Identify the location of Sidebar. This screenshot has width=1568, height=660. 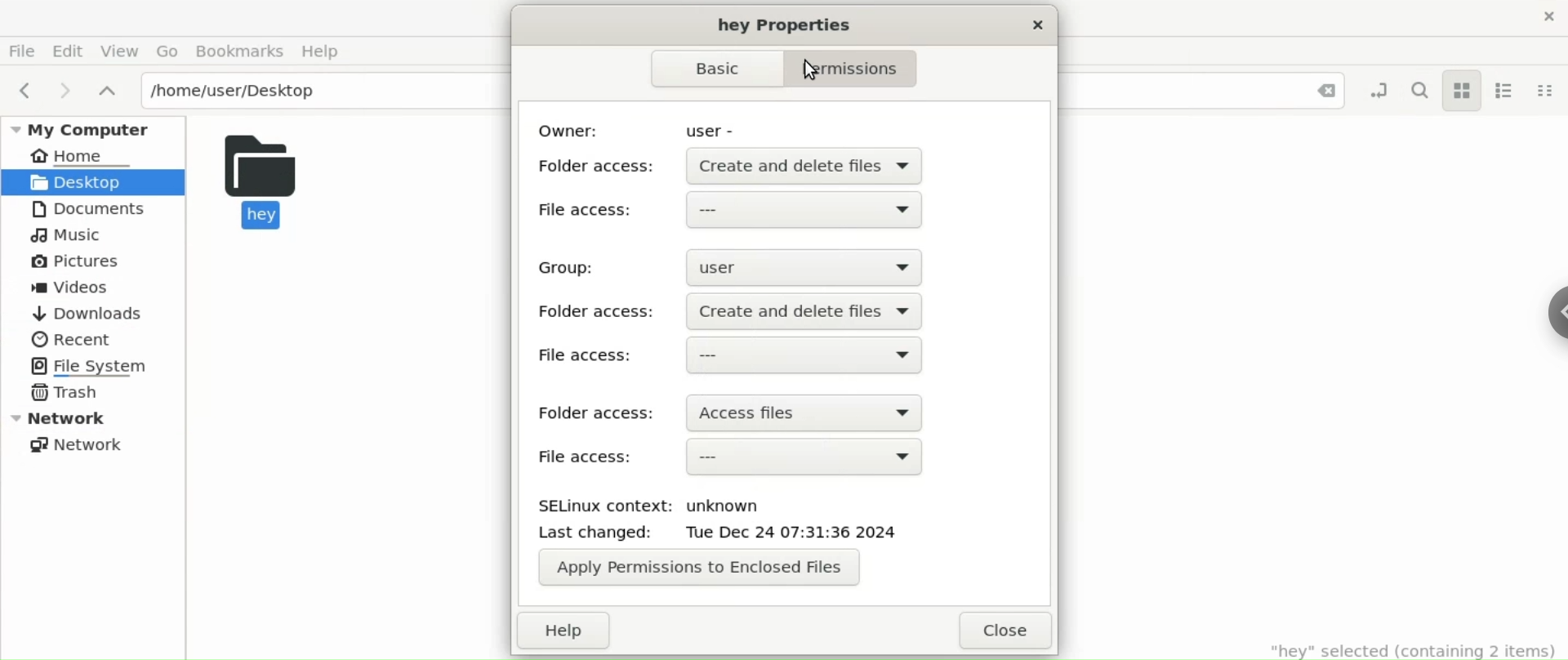
(1549, 305).